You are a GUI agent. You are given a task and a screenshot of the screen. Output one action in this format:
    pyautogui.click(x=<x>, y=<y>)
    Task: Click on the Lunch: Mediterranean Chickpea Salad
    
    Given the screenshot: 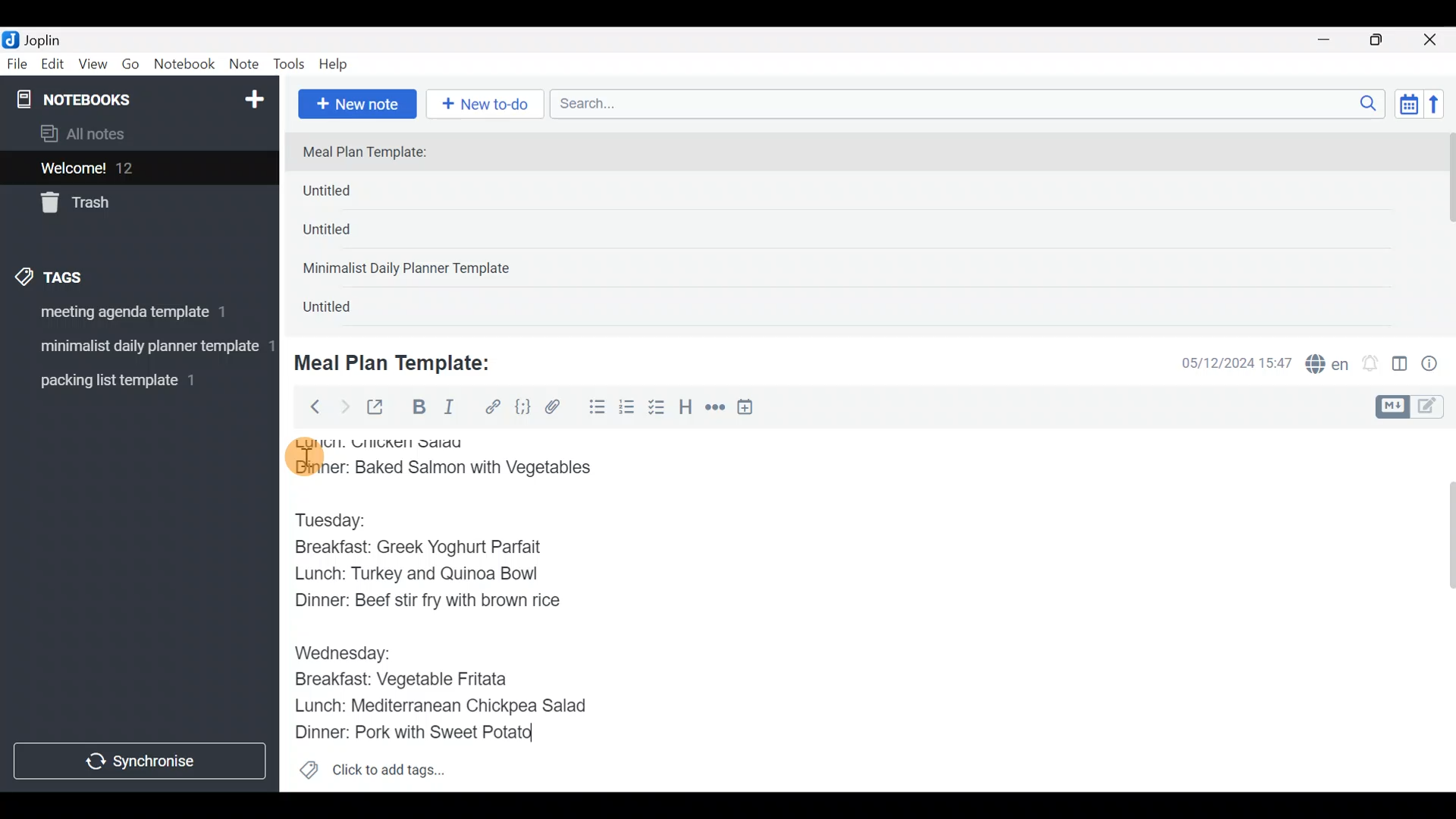 What is the action you would take?
    pyautogui.click(x=451, y=705)
    